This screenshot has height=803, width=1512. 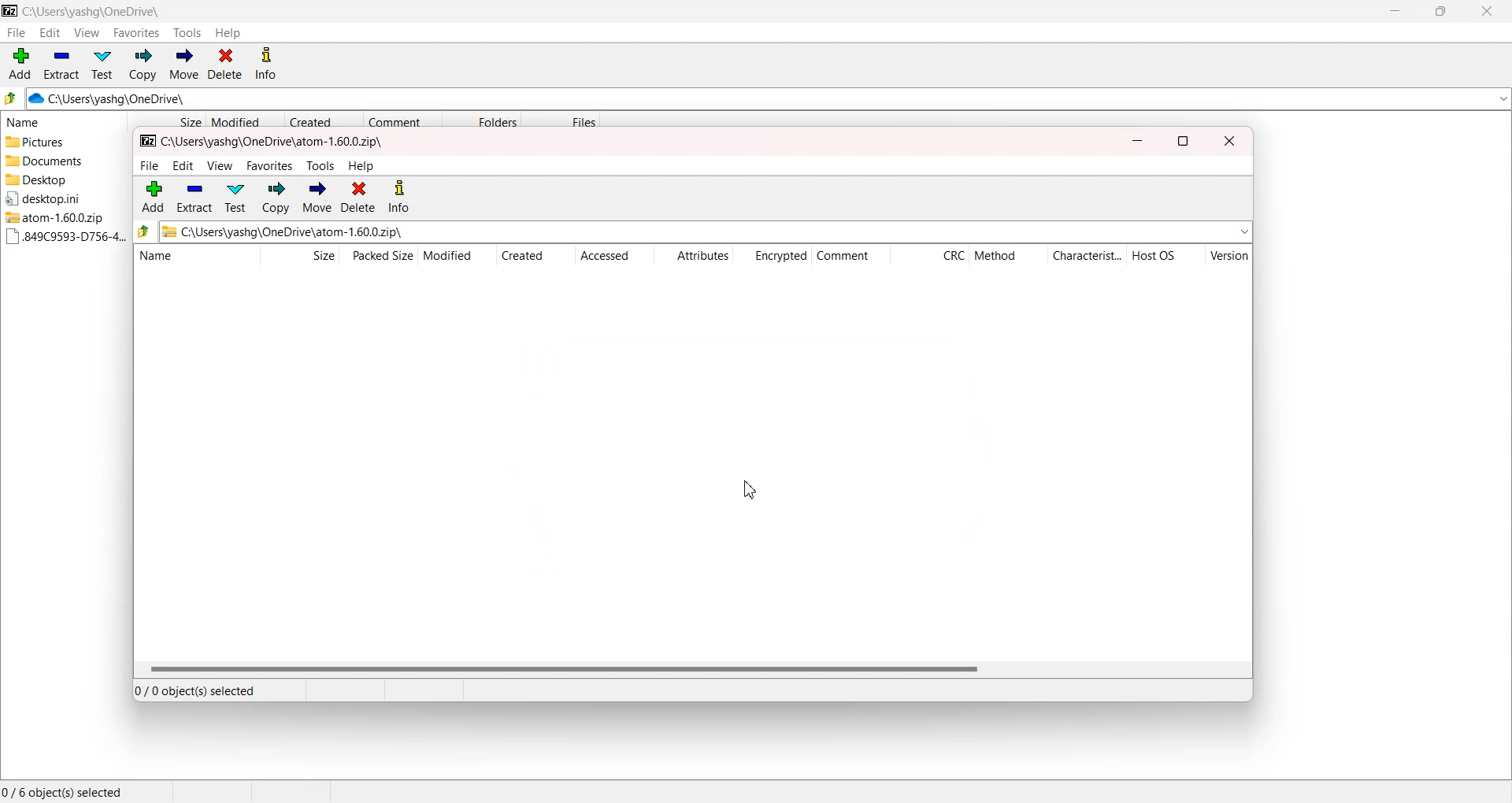 I want to click on Add, so click(x=20, y=64).